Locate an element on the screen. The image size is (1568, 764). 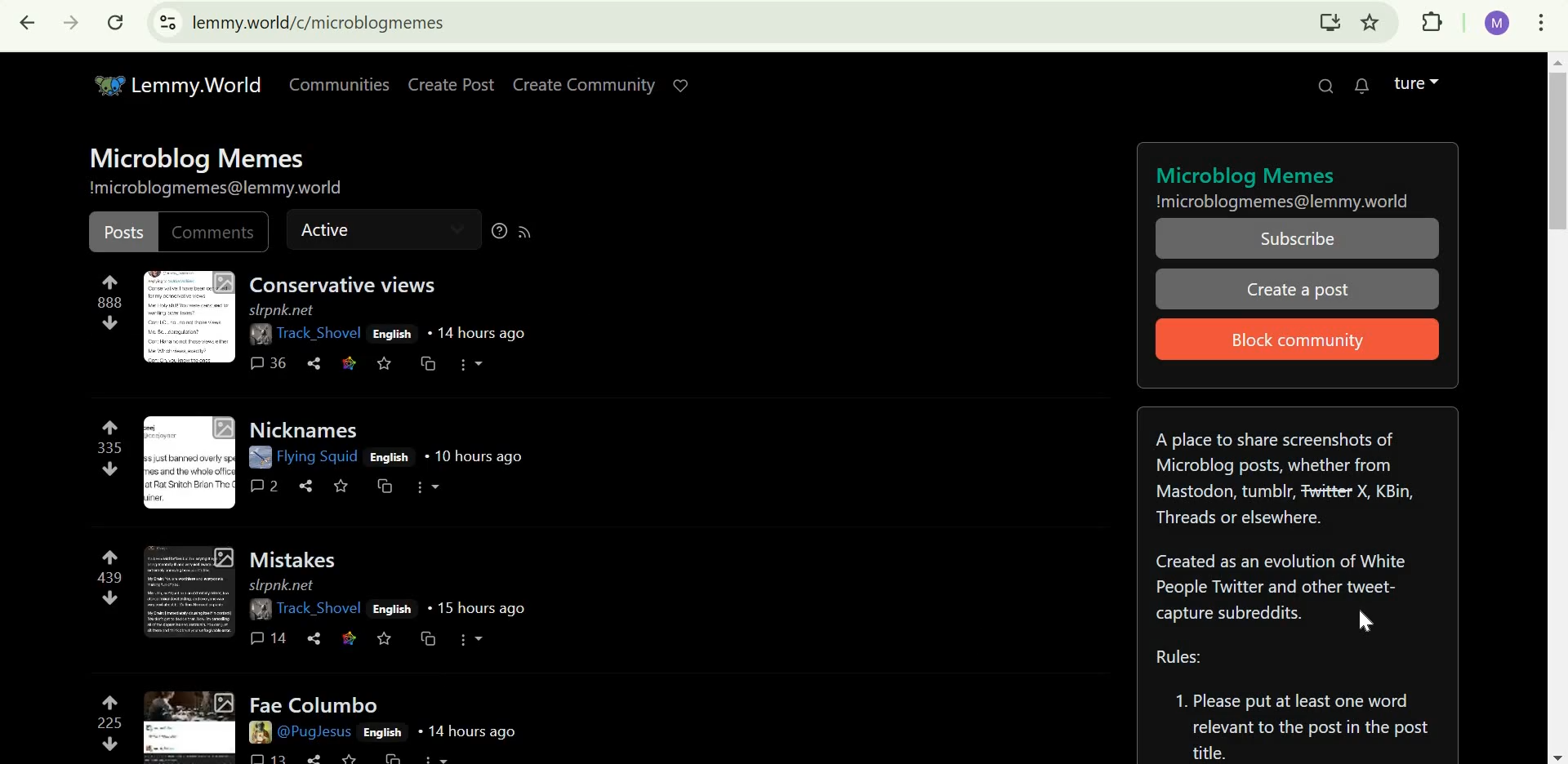
Create a post is located at coordinates (1299, 291).